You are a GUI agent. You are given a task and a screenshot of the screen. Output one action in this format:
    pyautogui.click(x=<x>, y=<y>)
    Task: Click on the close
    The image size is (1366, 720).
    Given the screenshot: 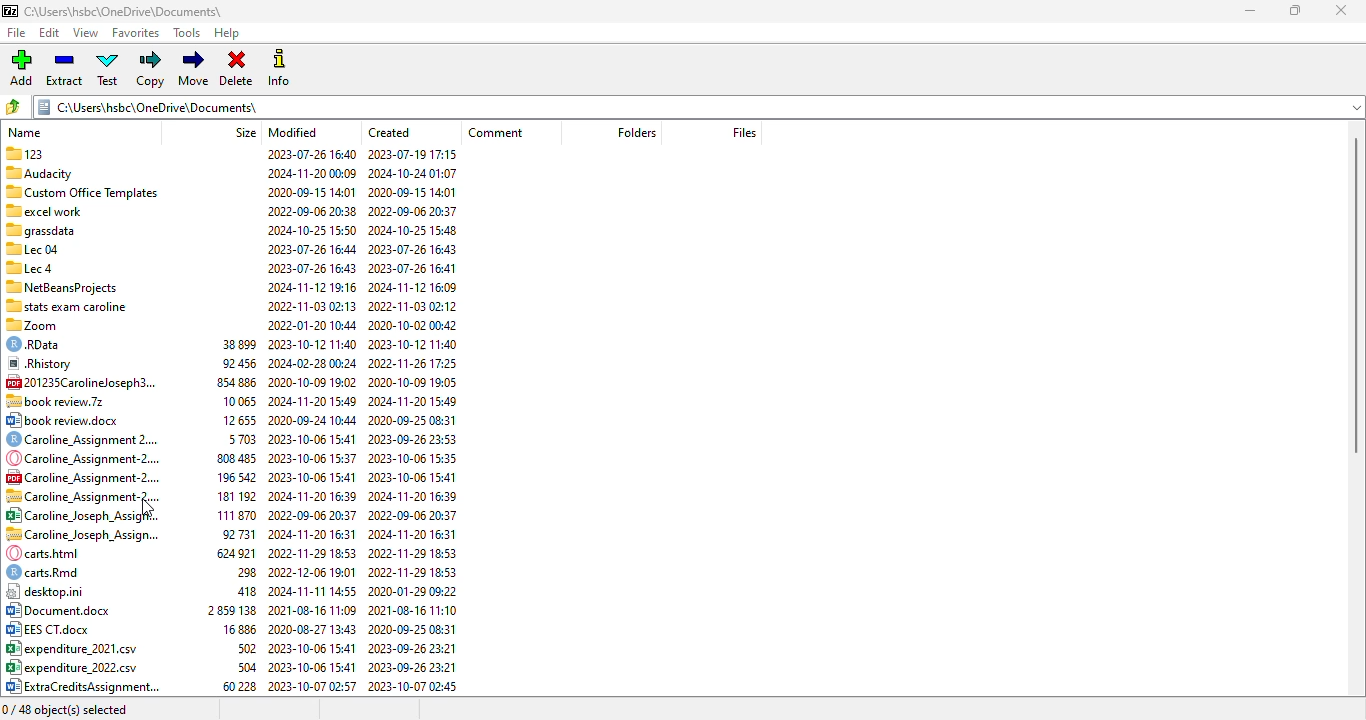 What is the action you would take?
    pyautogui.click(x=1341, y=10)
    